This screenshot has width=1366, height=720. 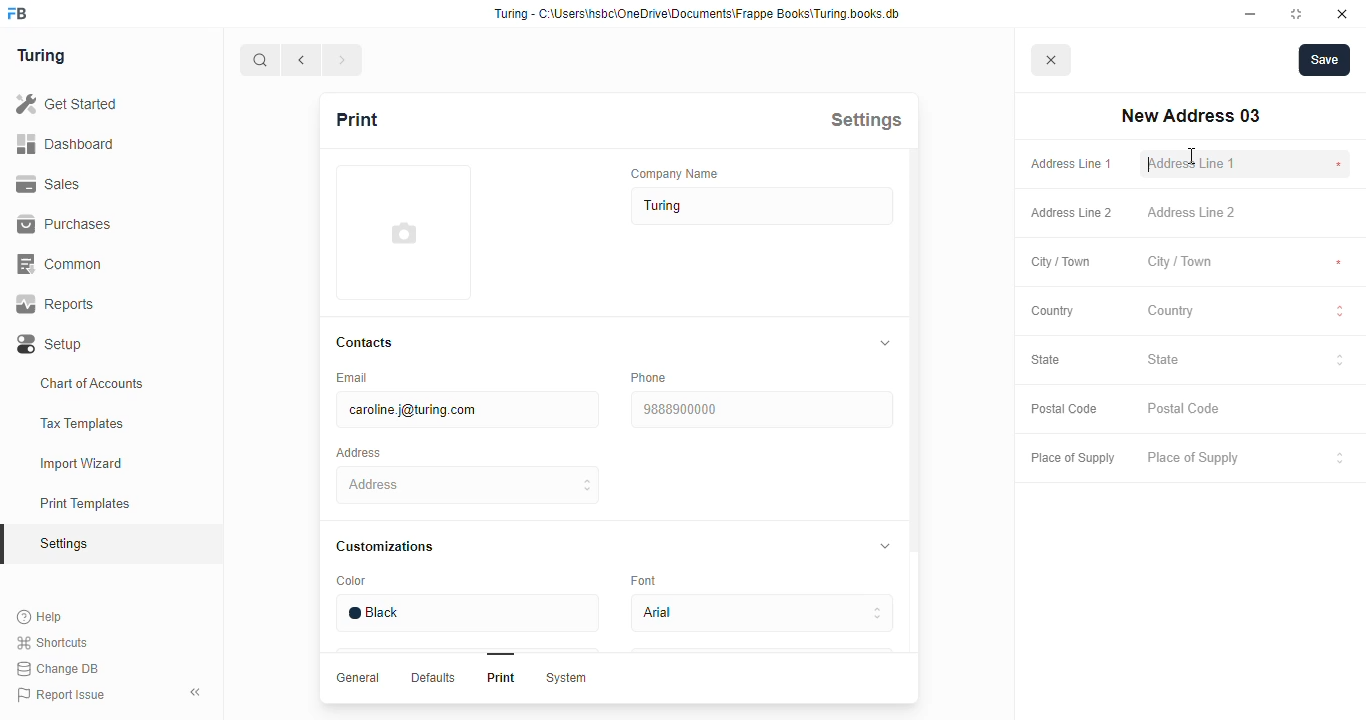 What do you see at coordinates (1072, 213) in the screenshot?
I see `address line 2` at bounding box center [1072, 213].